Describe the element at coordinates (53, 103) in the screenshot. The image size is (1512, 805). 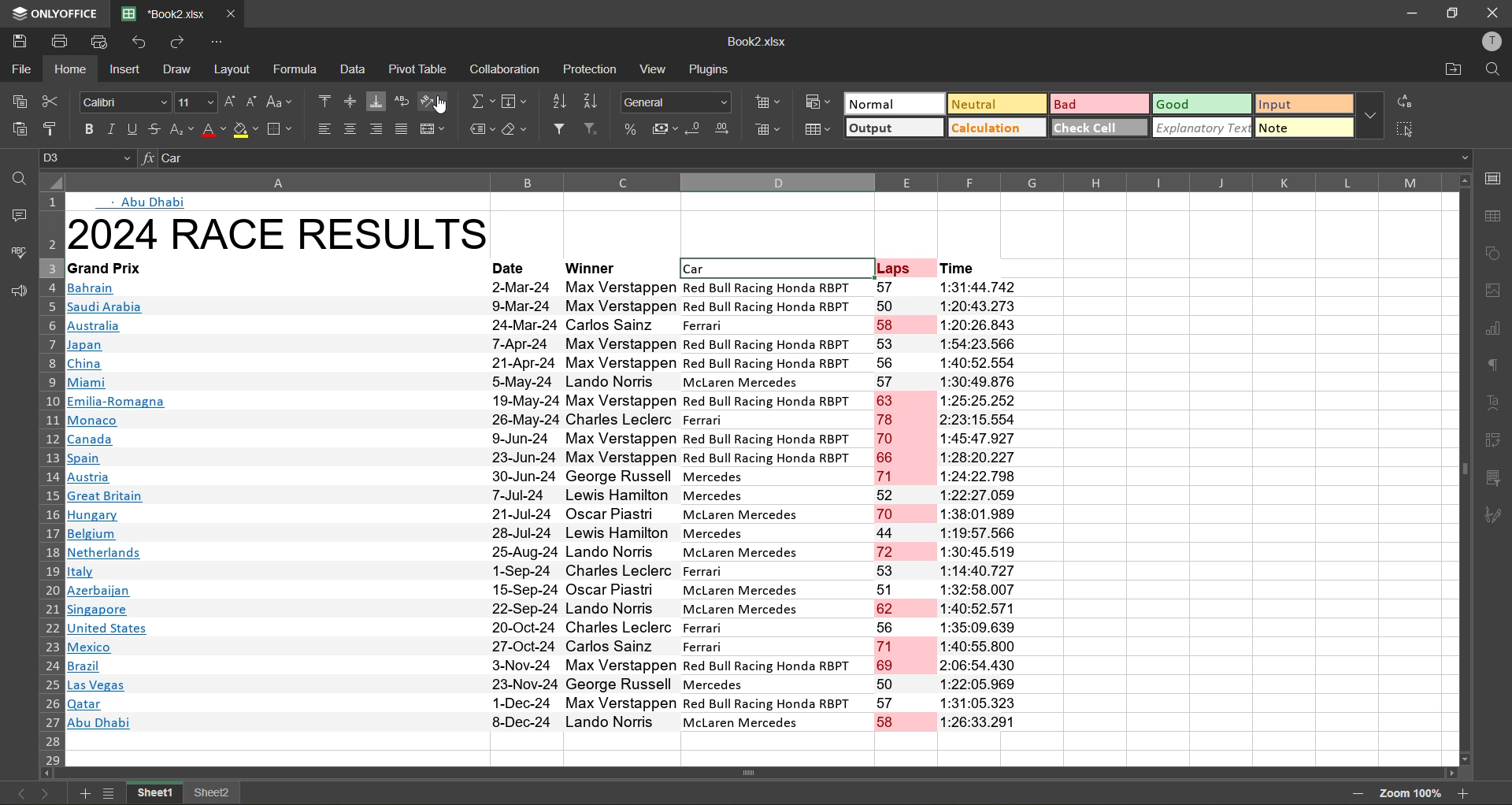
I see `cut` at that location.